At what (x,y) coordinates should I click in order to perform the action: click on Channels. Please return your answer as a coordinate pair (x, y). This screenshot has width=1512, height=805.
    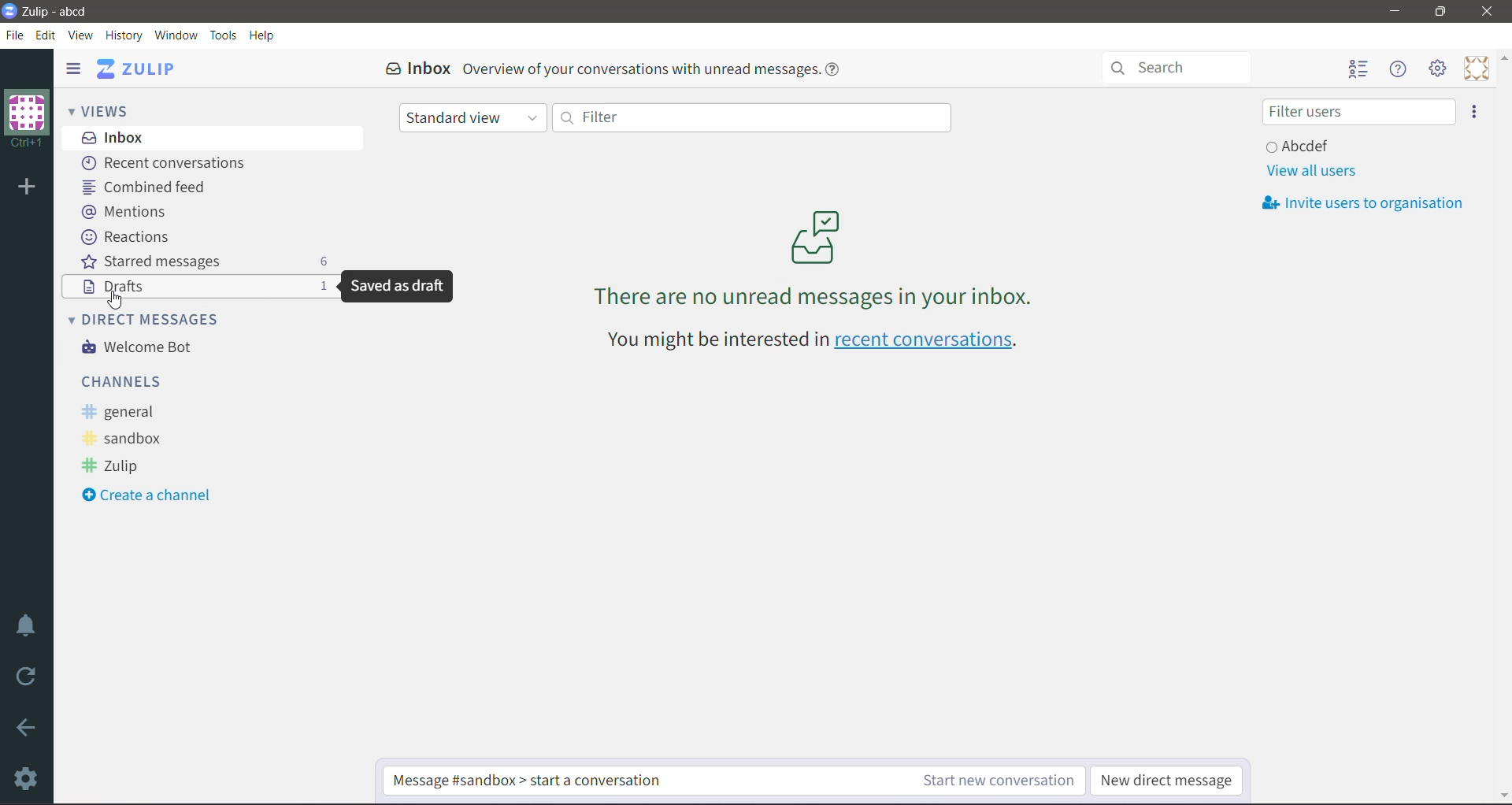
    Looking at the image, I should click on (125, 380).